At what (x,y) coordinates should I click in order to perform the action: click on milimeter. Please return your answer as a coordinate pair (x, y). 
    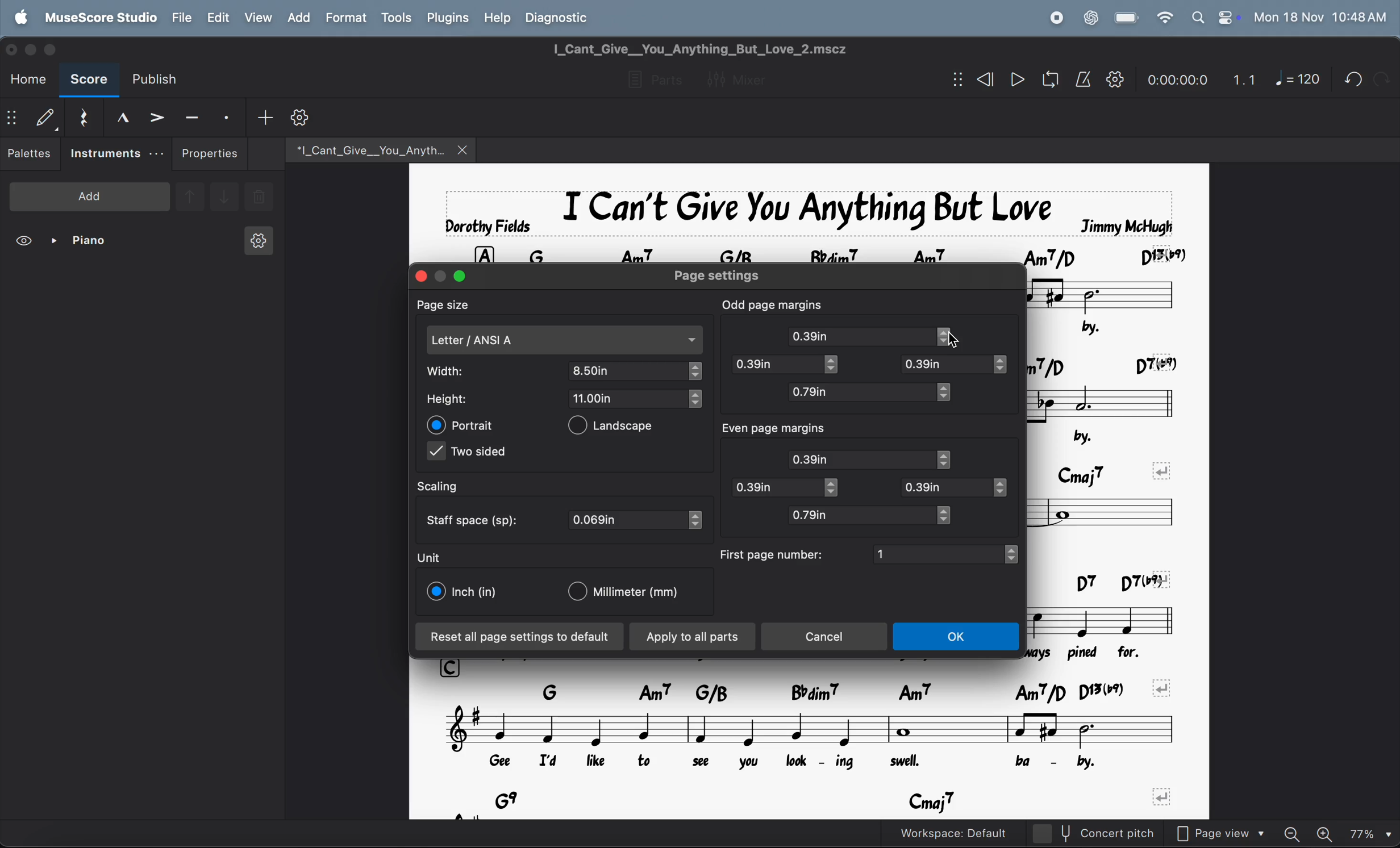
    Looking at the image, I should click on (630, 593).